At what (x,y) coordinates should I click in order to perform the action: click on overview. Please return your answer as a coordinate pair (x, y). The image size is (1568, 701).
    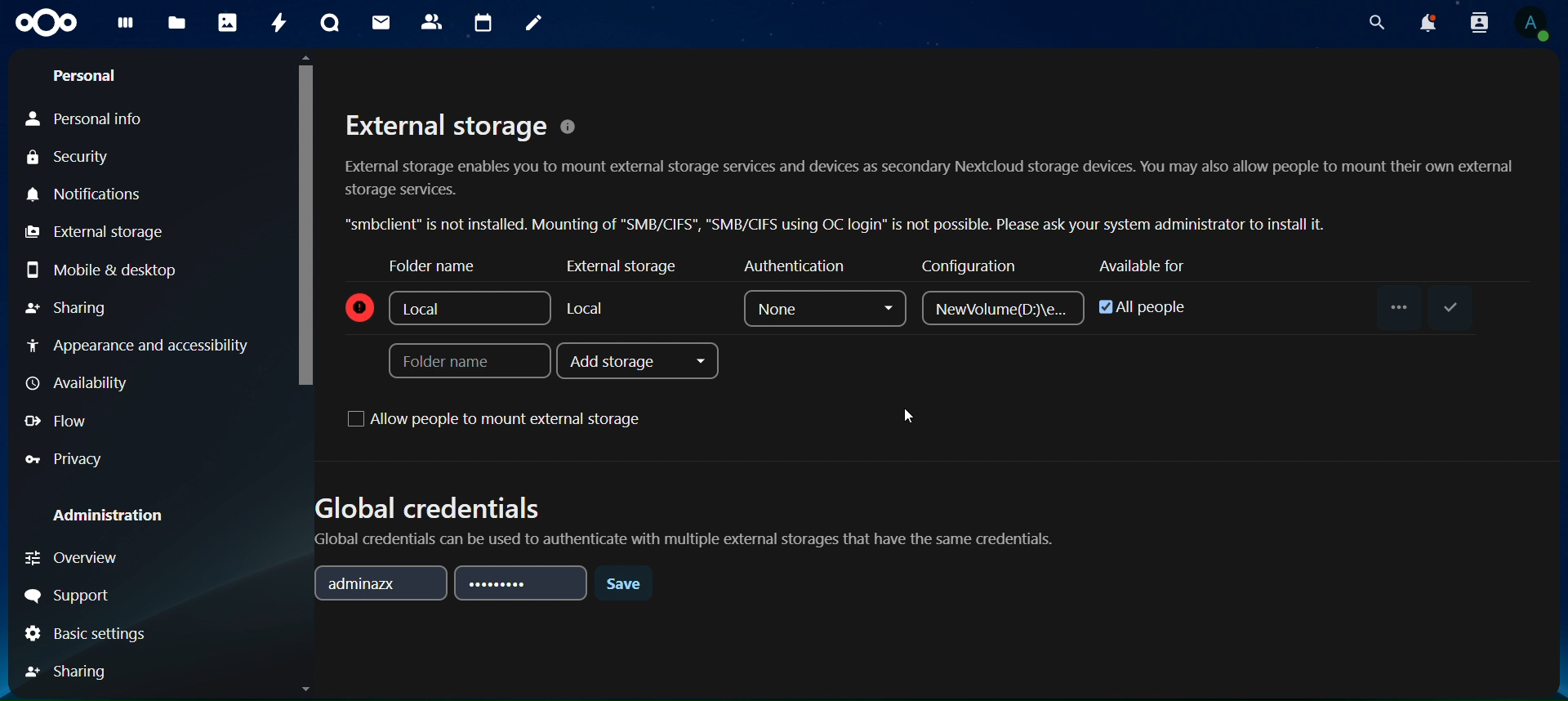
    Looking at the image, I should click on (78, 560).